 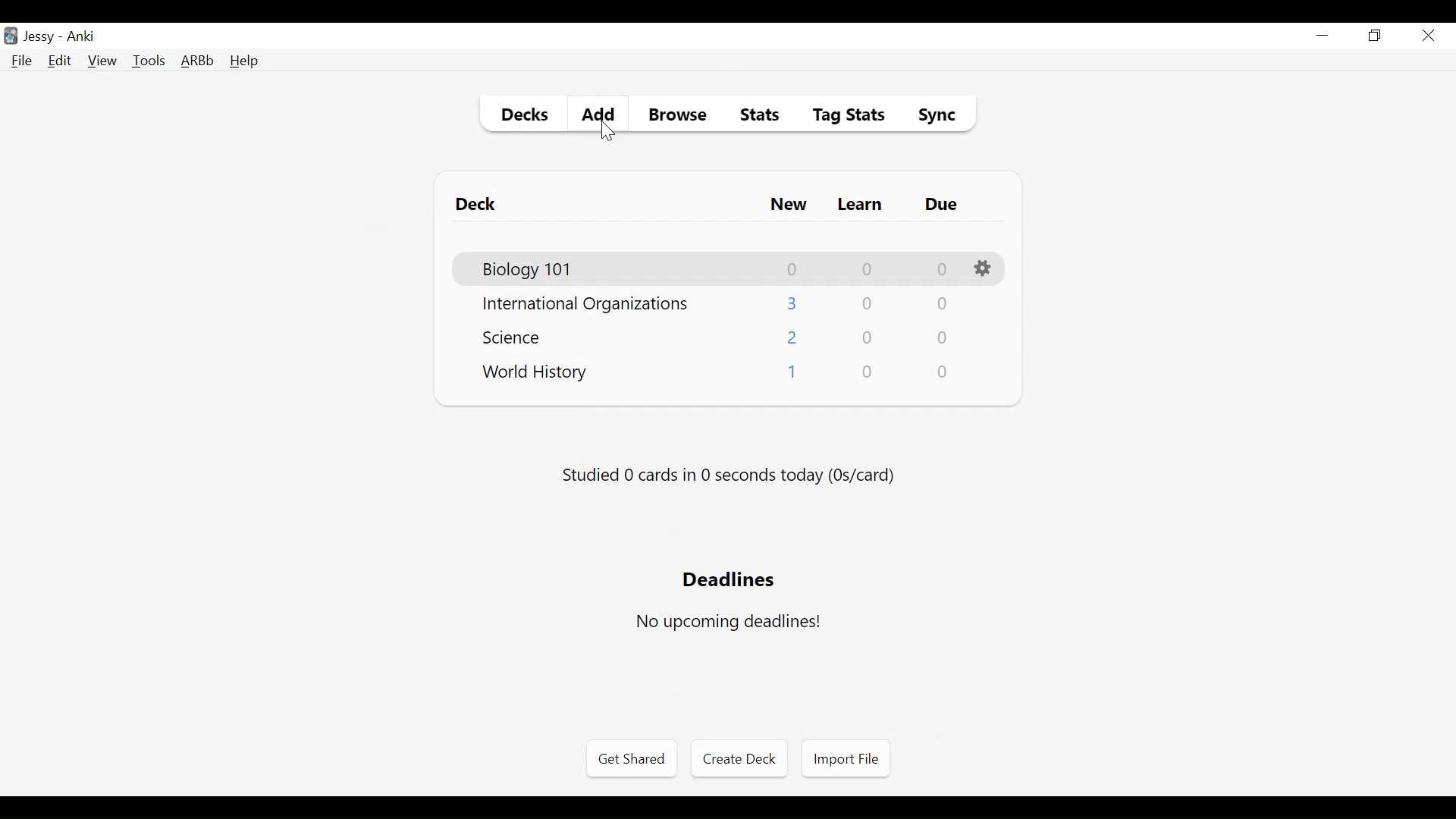 I want to click on Due Card Count, so click(x=944, y=372).